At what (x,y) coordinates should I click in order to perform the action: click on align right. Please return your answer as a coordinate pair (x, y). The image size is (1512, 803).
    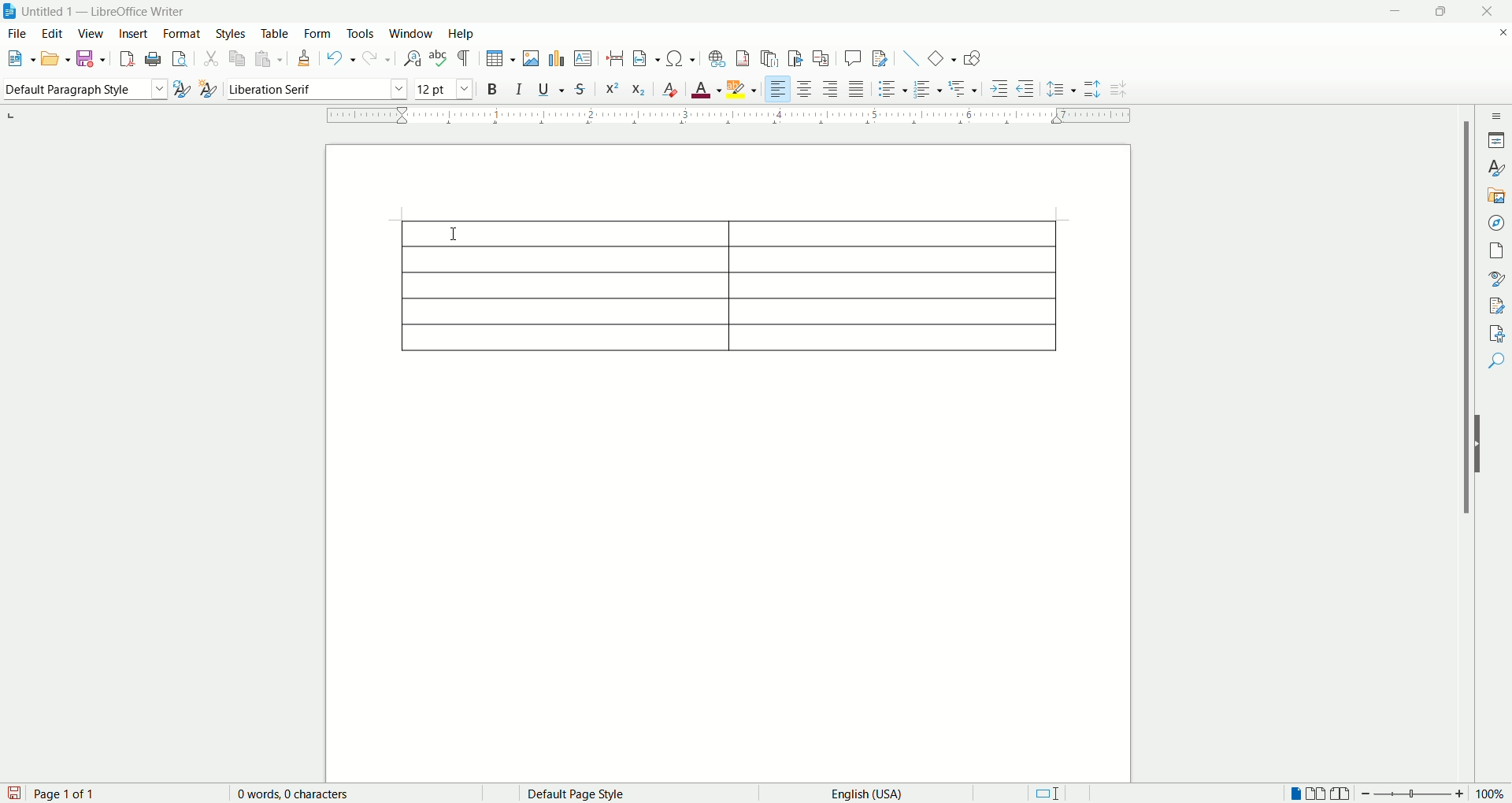
    Looking at the image, I should click on (777, 87).